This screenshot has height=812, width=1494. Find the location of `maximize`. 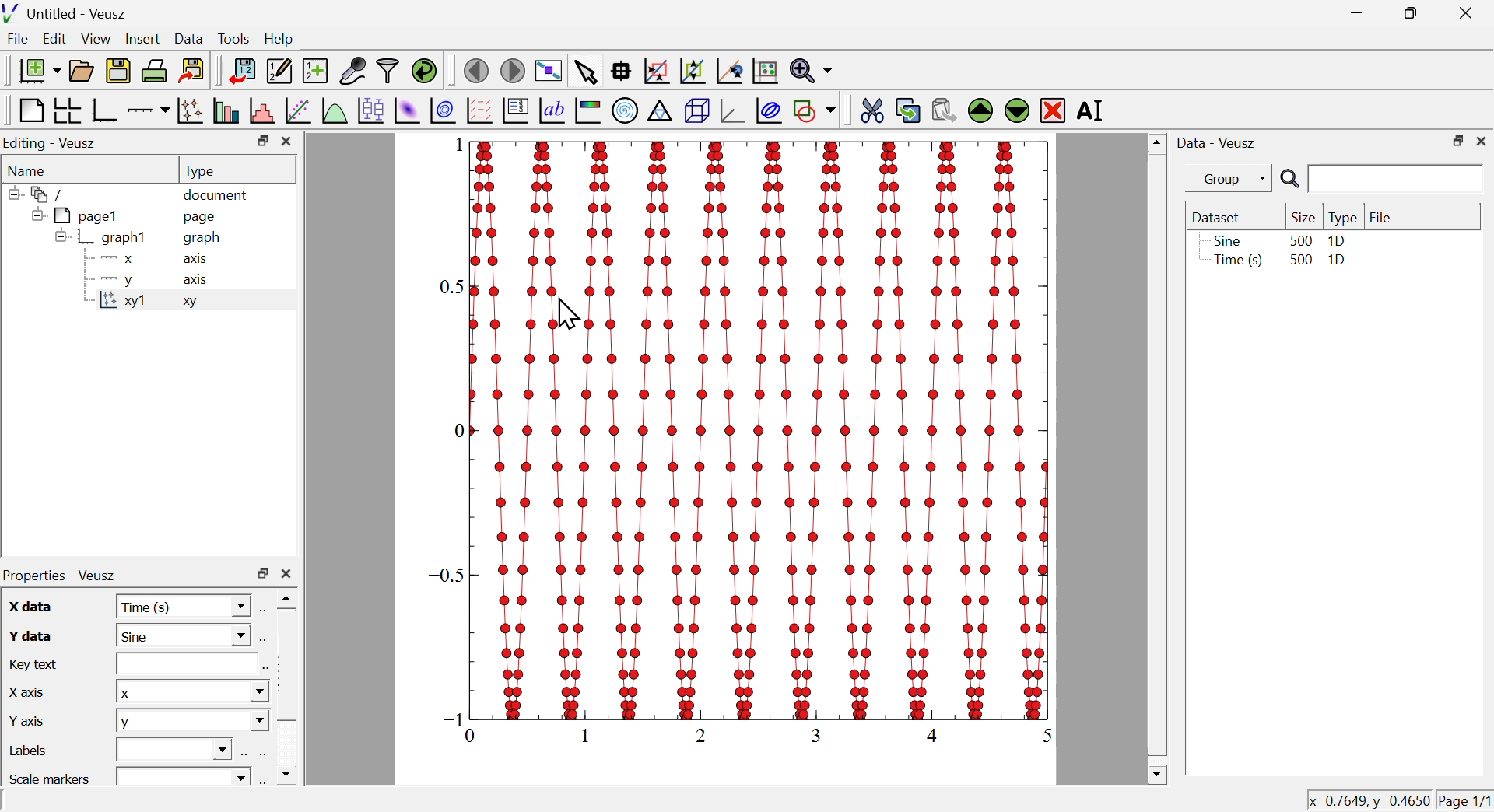

maximize is located at coordinates (262, 574).